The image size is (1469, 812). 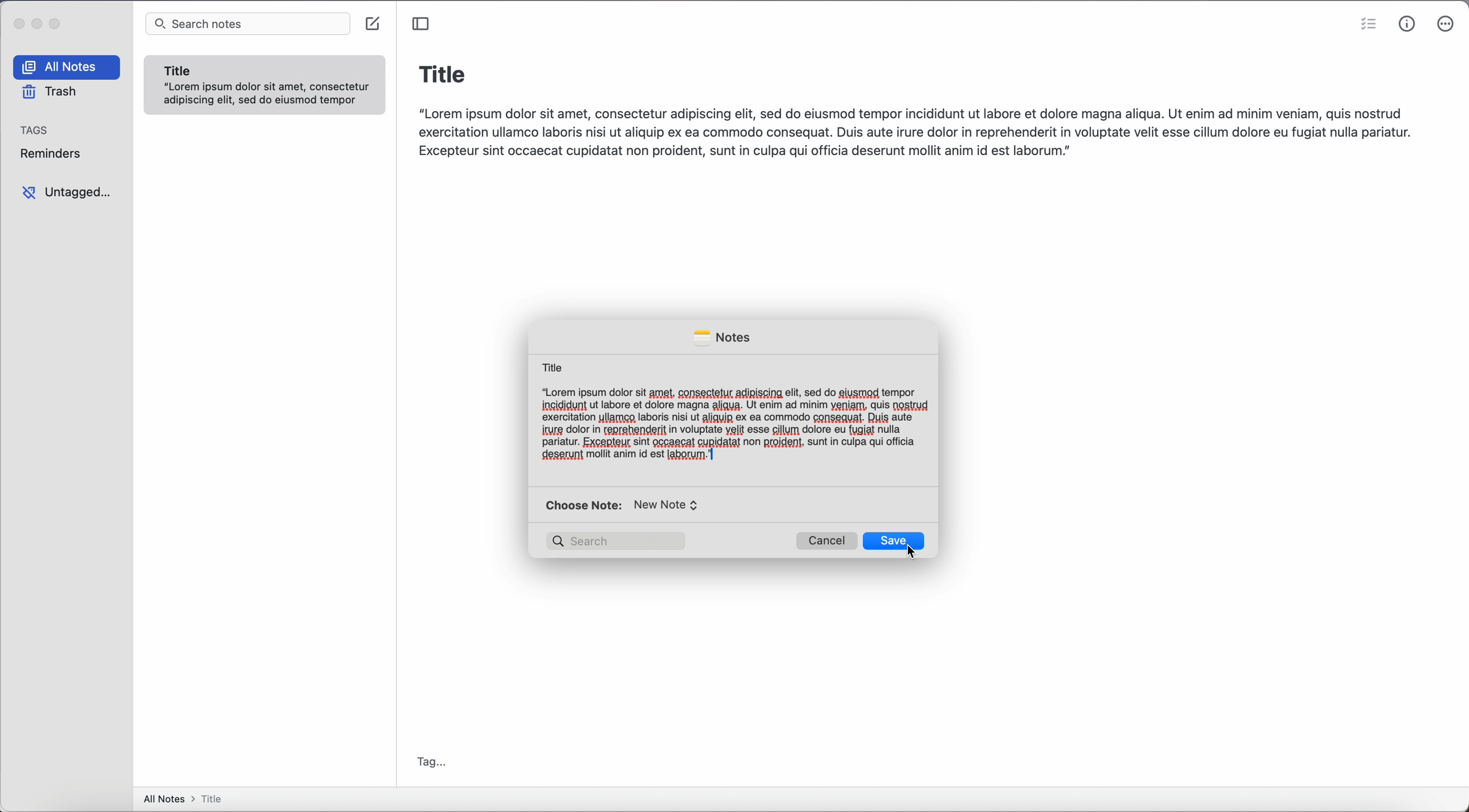 I want to click on notes, so click(x=721, y=338).